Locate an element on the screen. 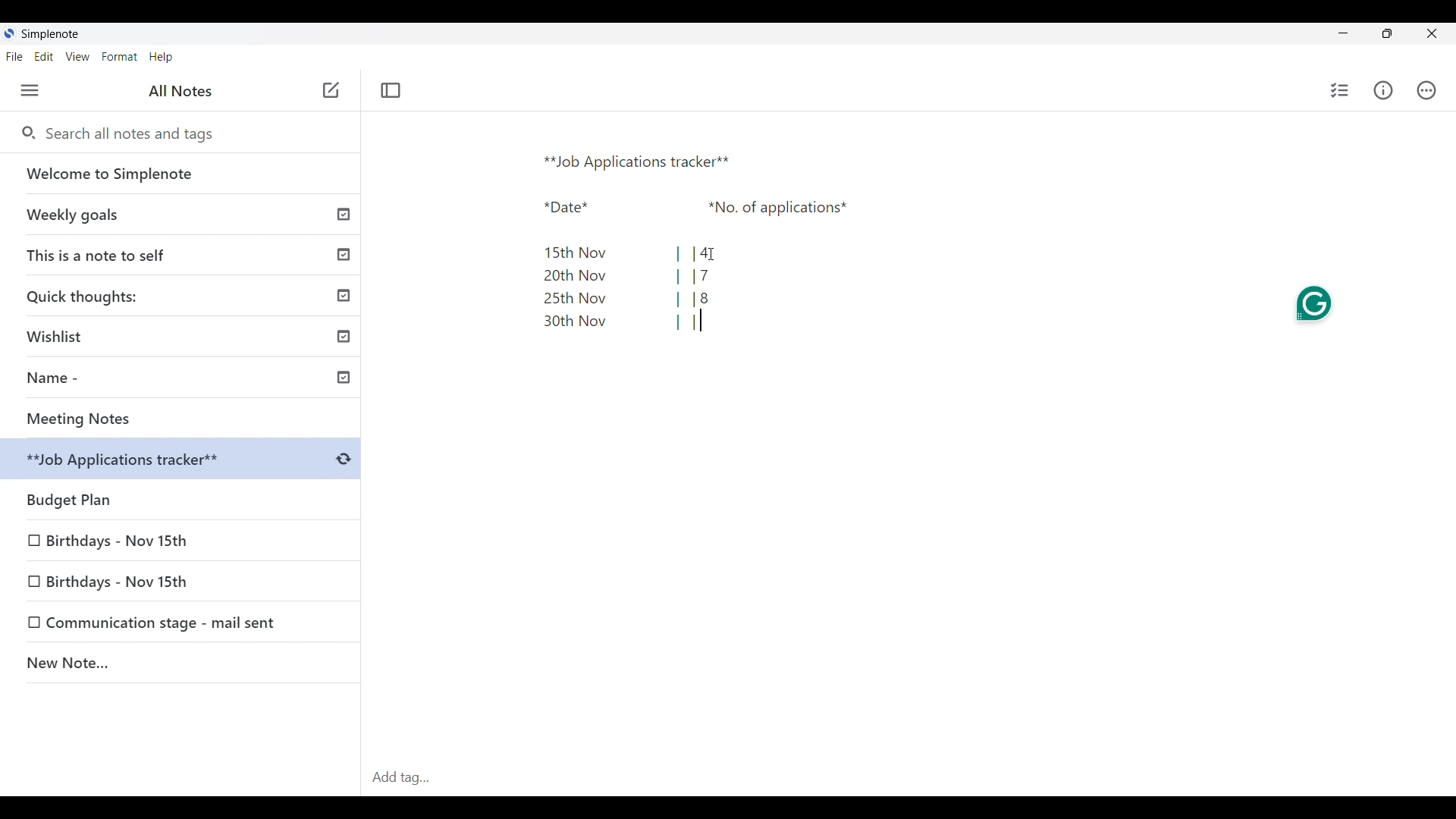  Meeting Notes is located at coordinates (186, 419).